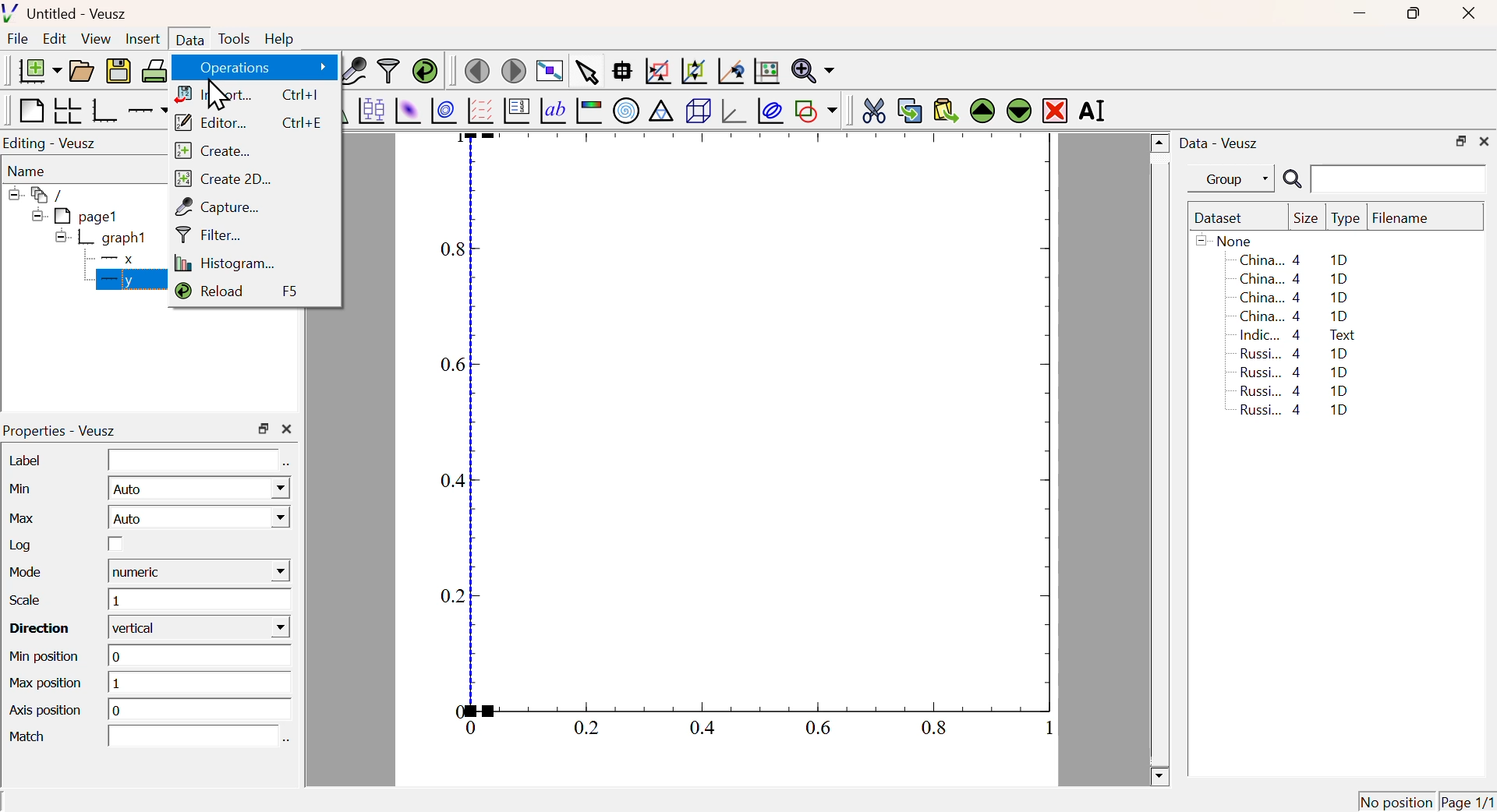  Describe the element at coordinates (42, 629) in the screenshot. I see `Direction` at that location.